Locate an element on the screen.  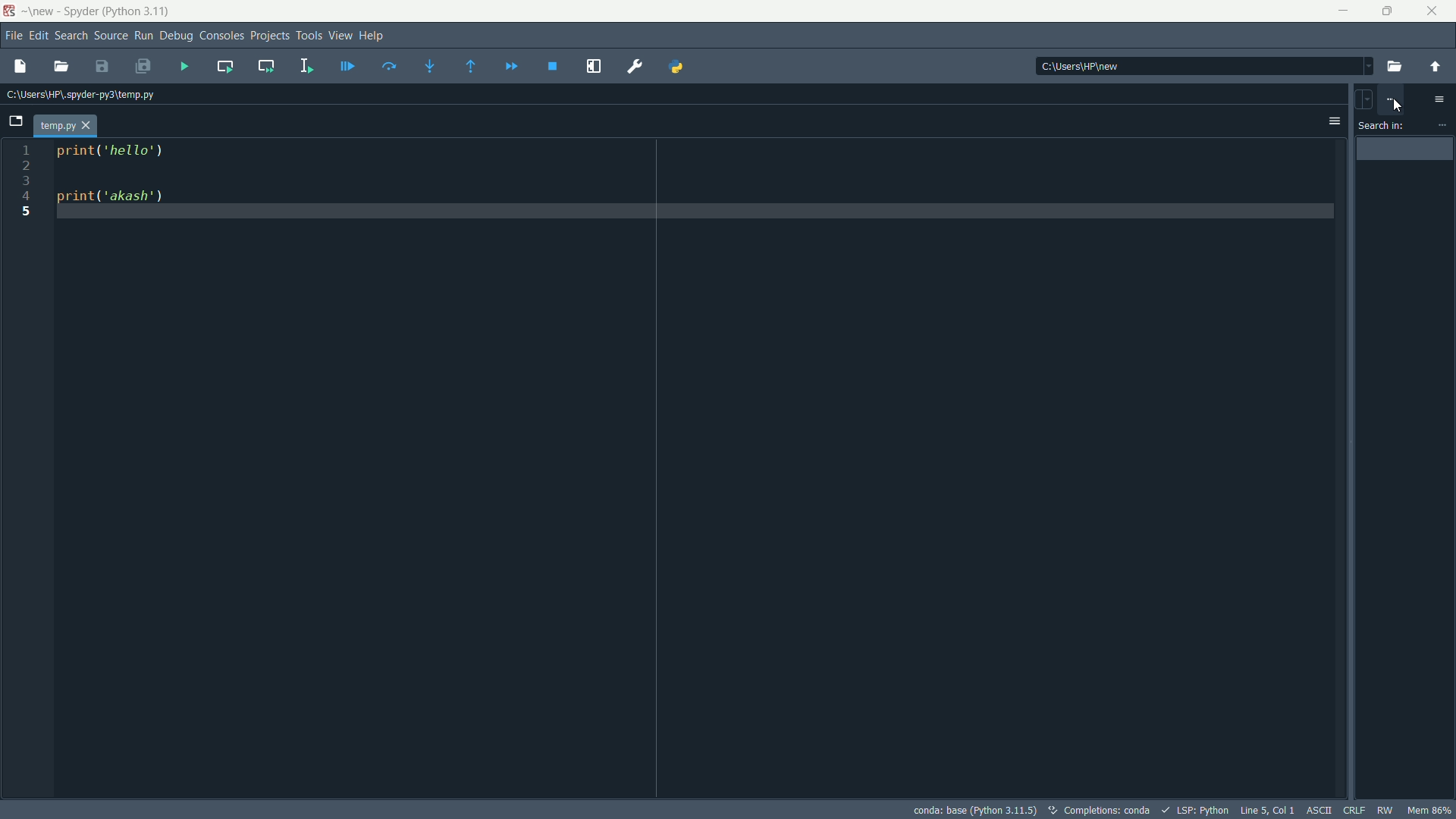
C:\Users\HP\Spyder-py3temp.py is located at coordinates (81, 93).